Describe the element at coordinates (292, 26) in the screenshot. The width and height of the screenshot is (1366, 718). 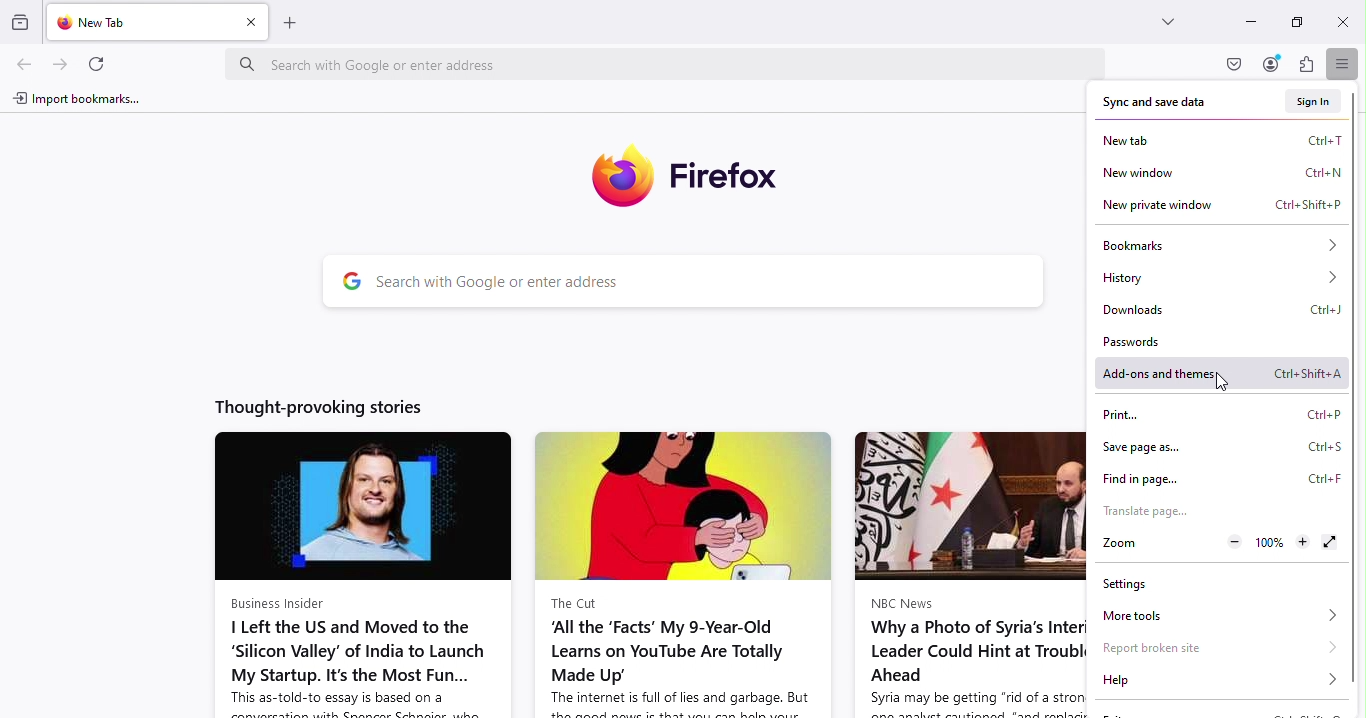
I see `Open a new tab` at that location.